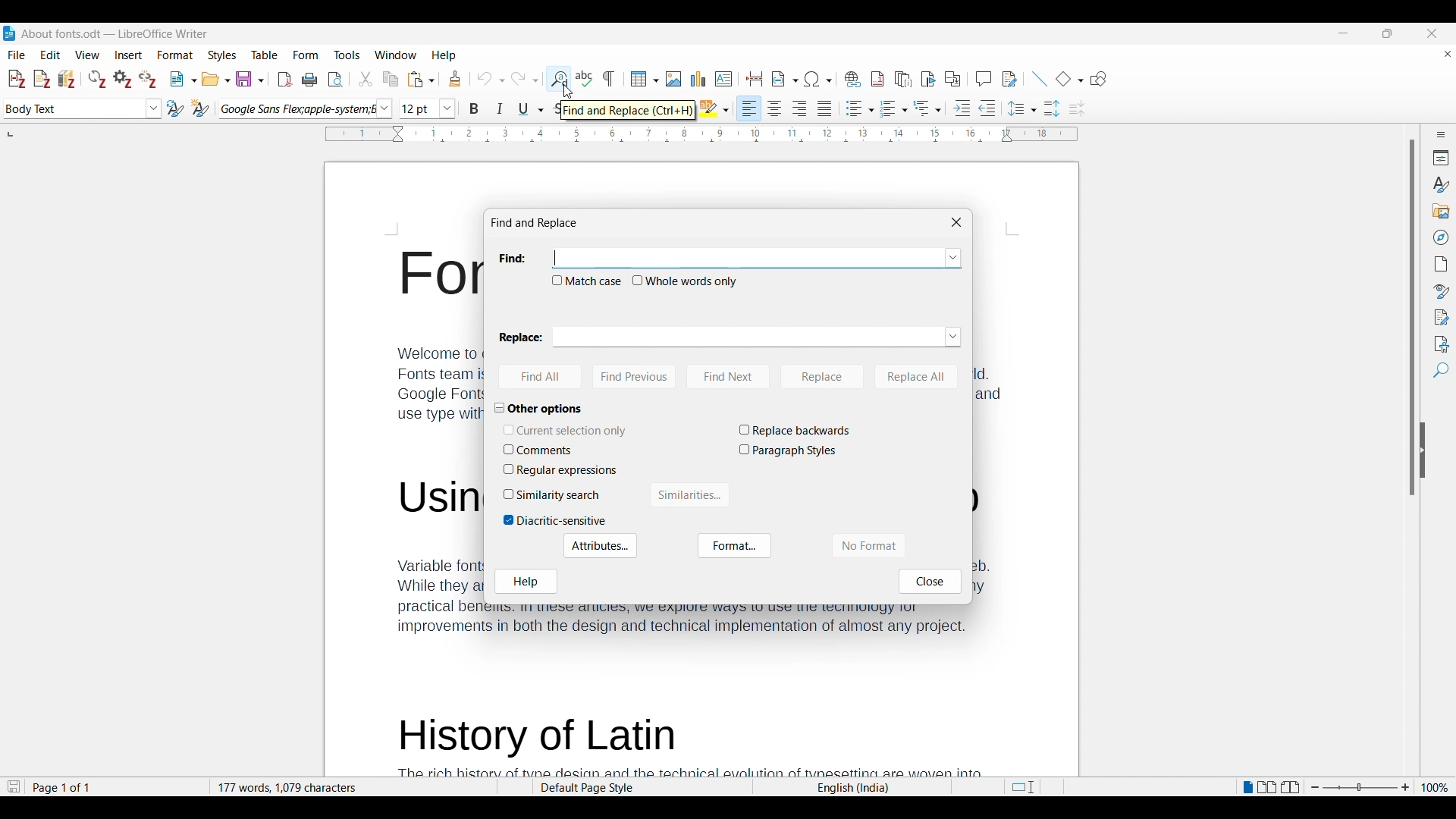 The image size is (1456, 819). What do you see at coordinates (1077, 108) in the screenshot?
I see `Decrease paragraph spacing` at bounding box center [1077, 108].